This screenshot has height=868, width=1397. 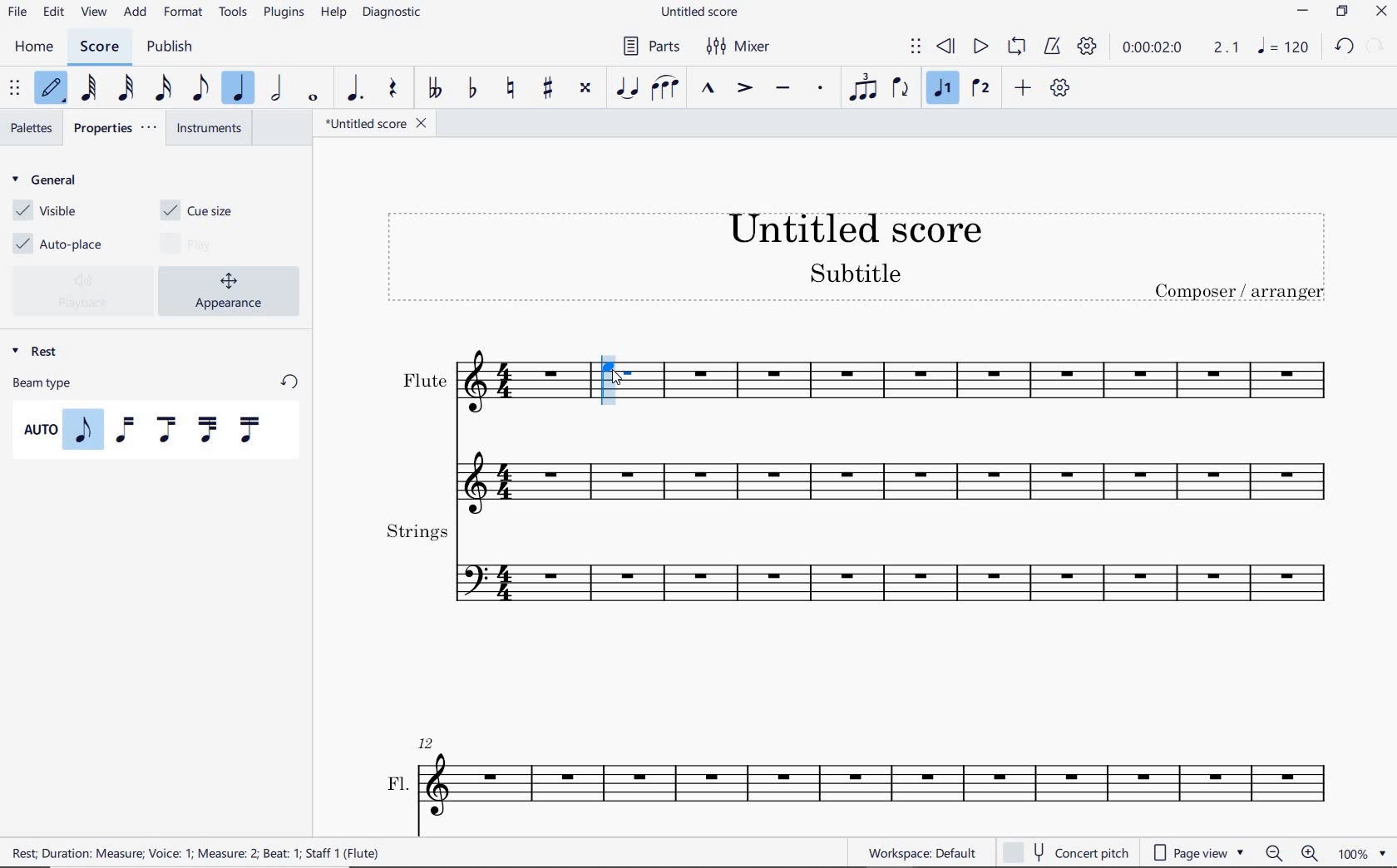 What do you see at coordinates (391, 90) in the screenshot?
I see `REST` at bounding box center [391, 90].